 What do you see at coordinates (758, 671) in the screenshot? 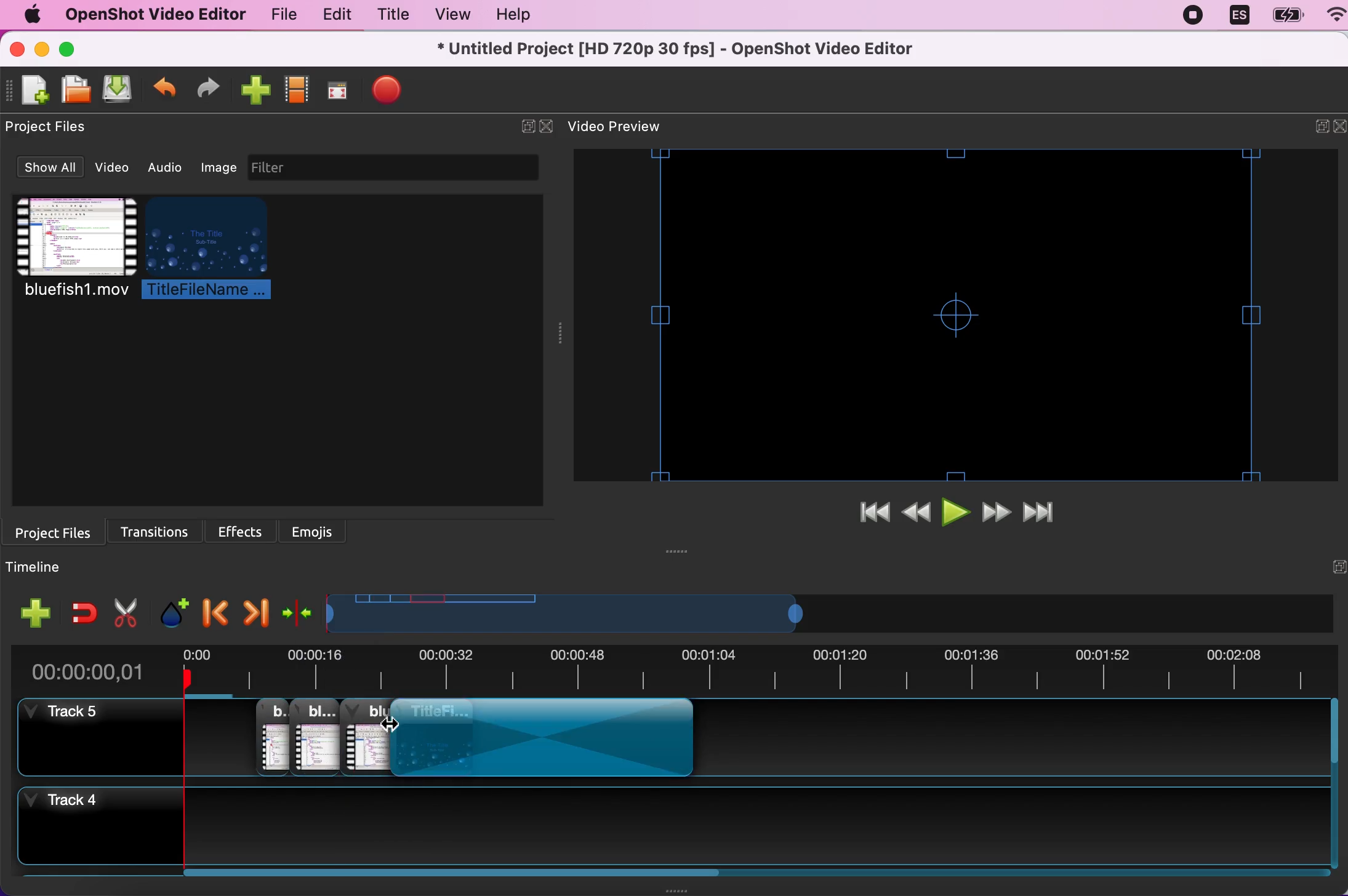
I see `video duration` at bounding box center [758, 671].